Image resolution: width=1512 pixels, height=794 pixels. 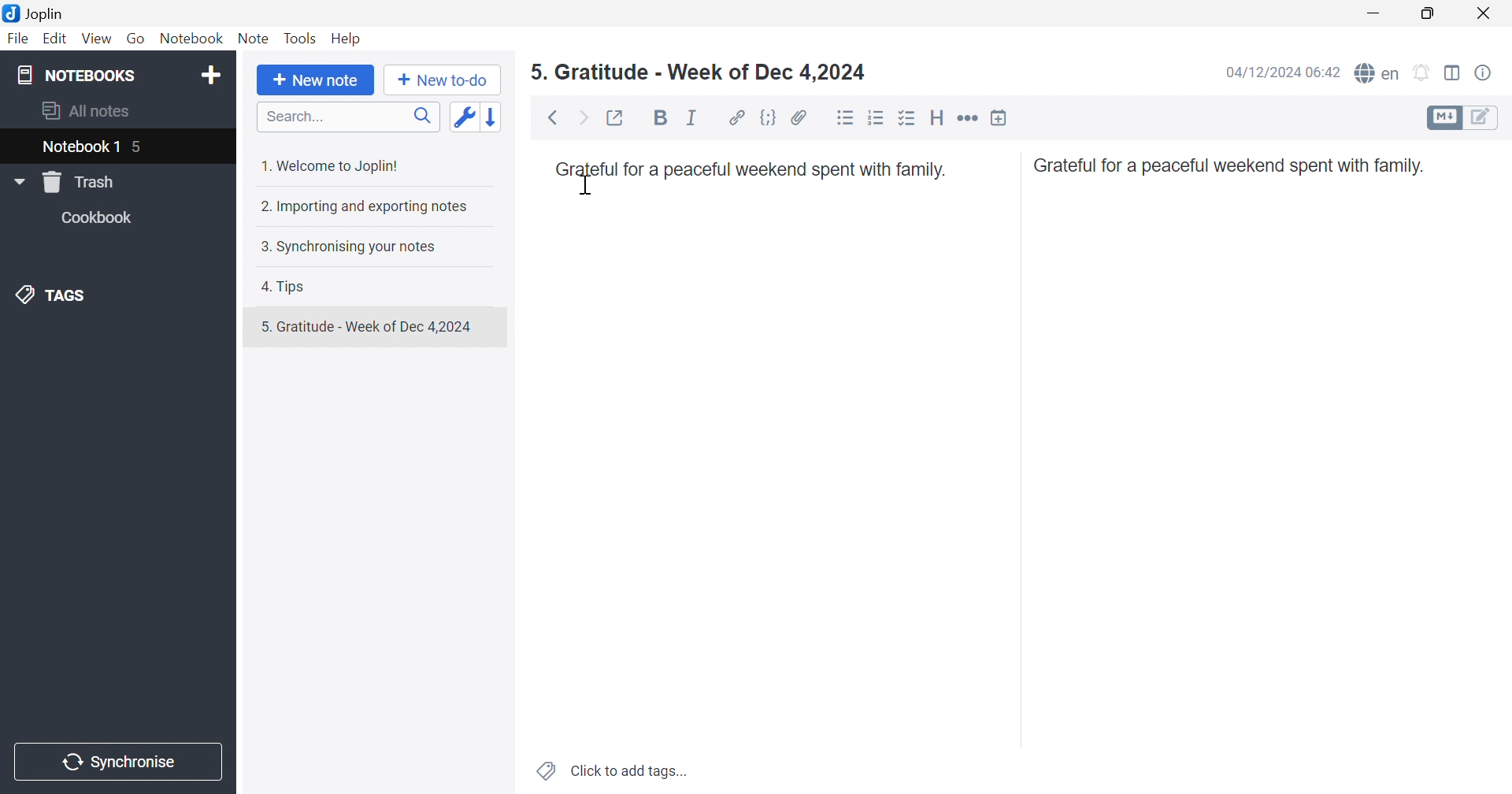 I want to click on Go, so click(x=136, y=38).